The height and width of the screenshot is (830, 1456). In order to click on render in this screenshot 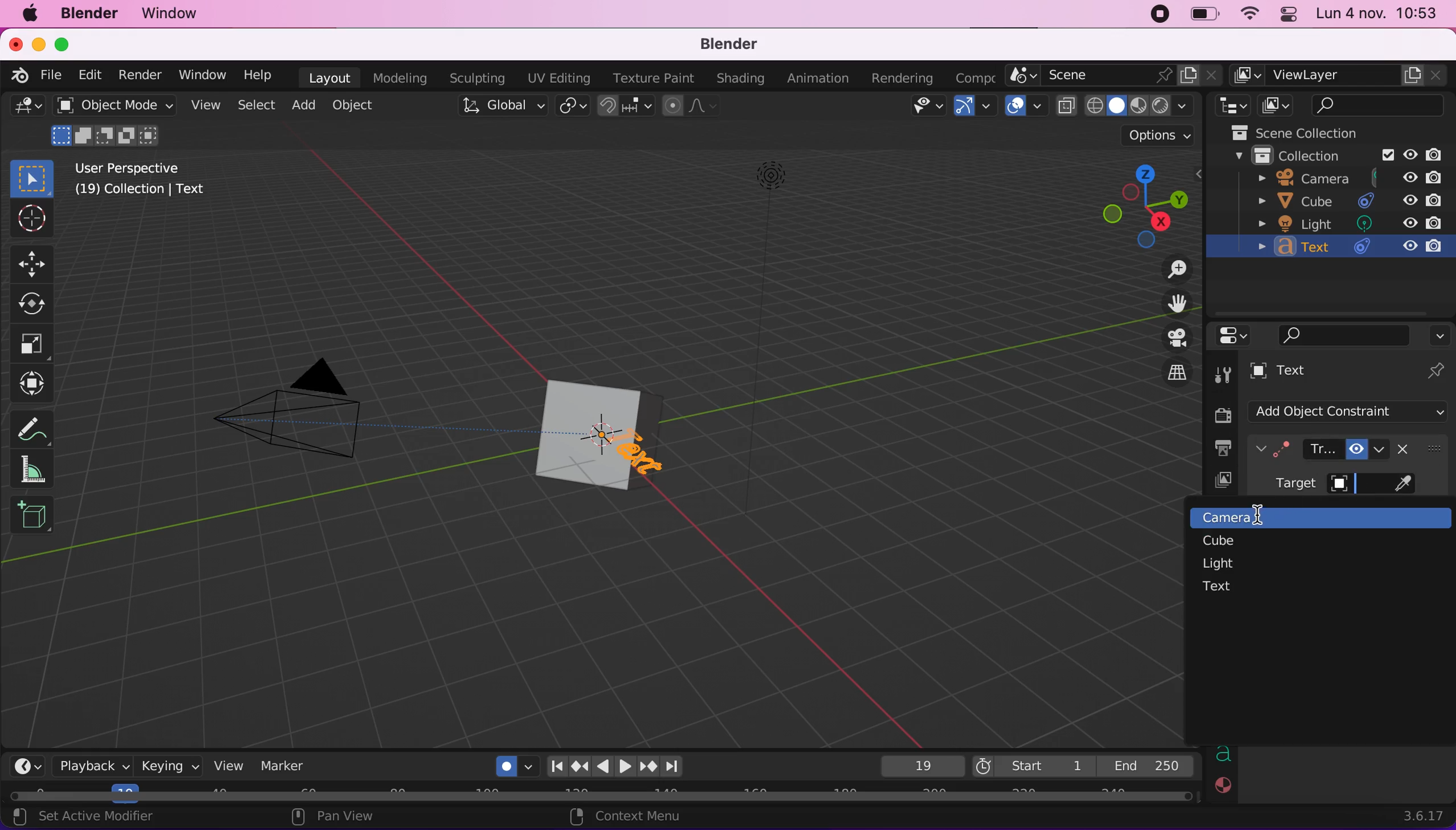, I will do `click(1218, 410)`.